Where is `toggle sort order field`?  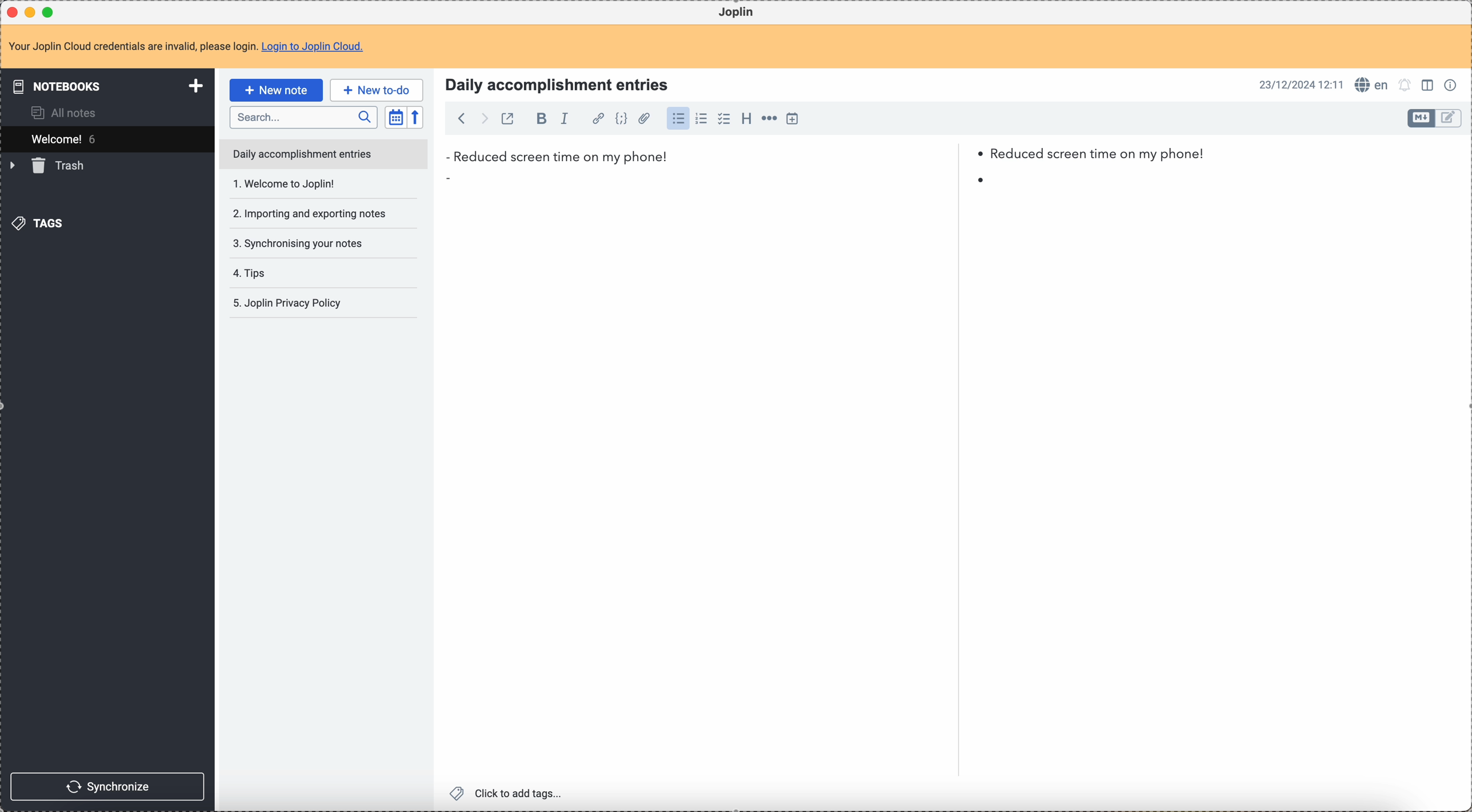
toggle sort order field is located at coordinates (395, 117).